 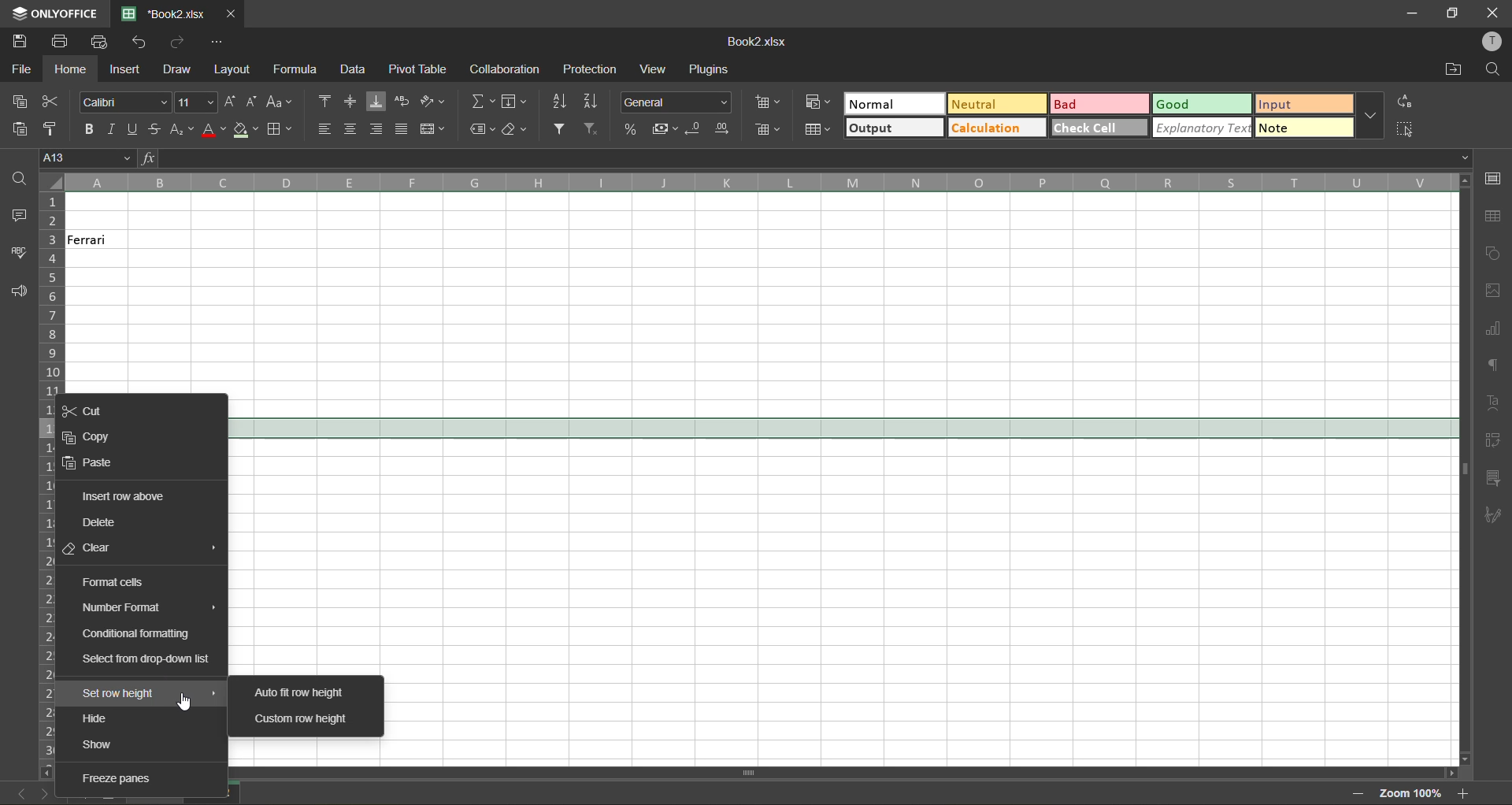 What do you see at coordinates (1455, 13) in the screenshot?
I see `maximize` at bounding box center [1455, 13].